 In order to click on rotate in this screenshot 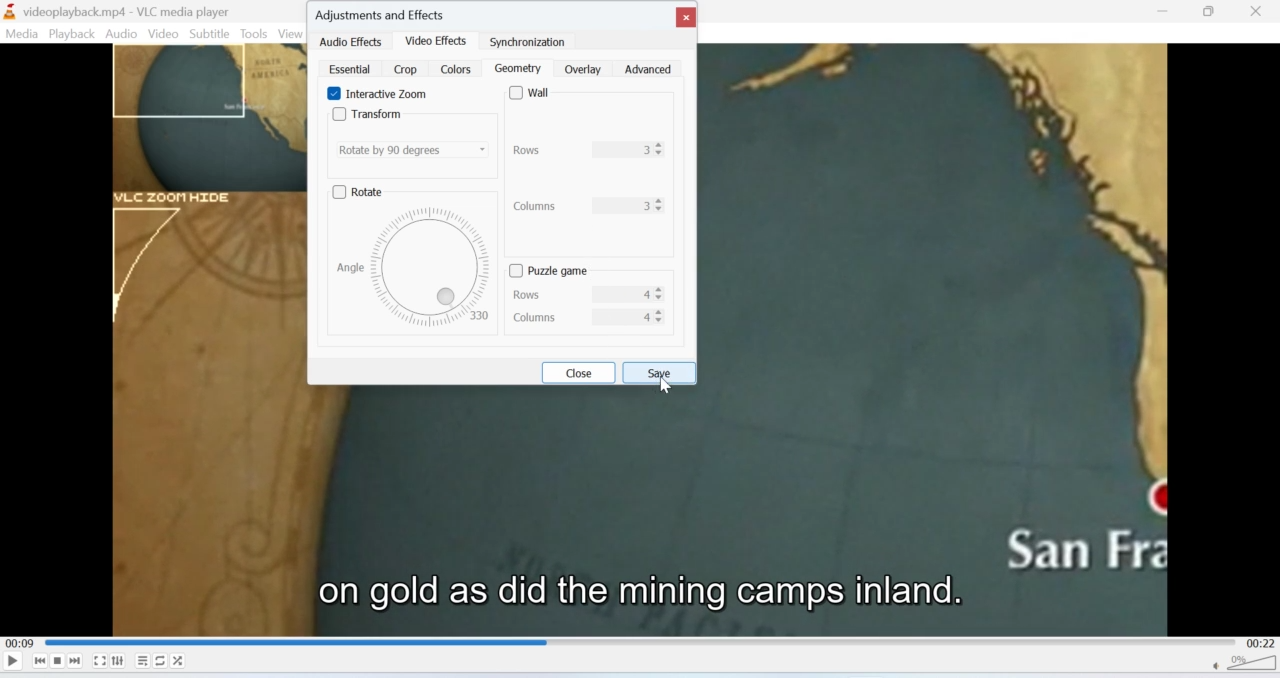, I will do `click(363, 189)`.